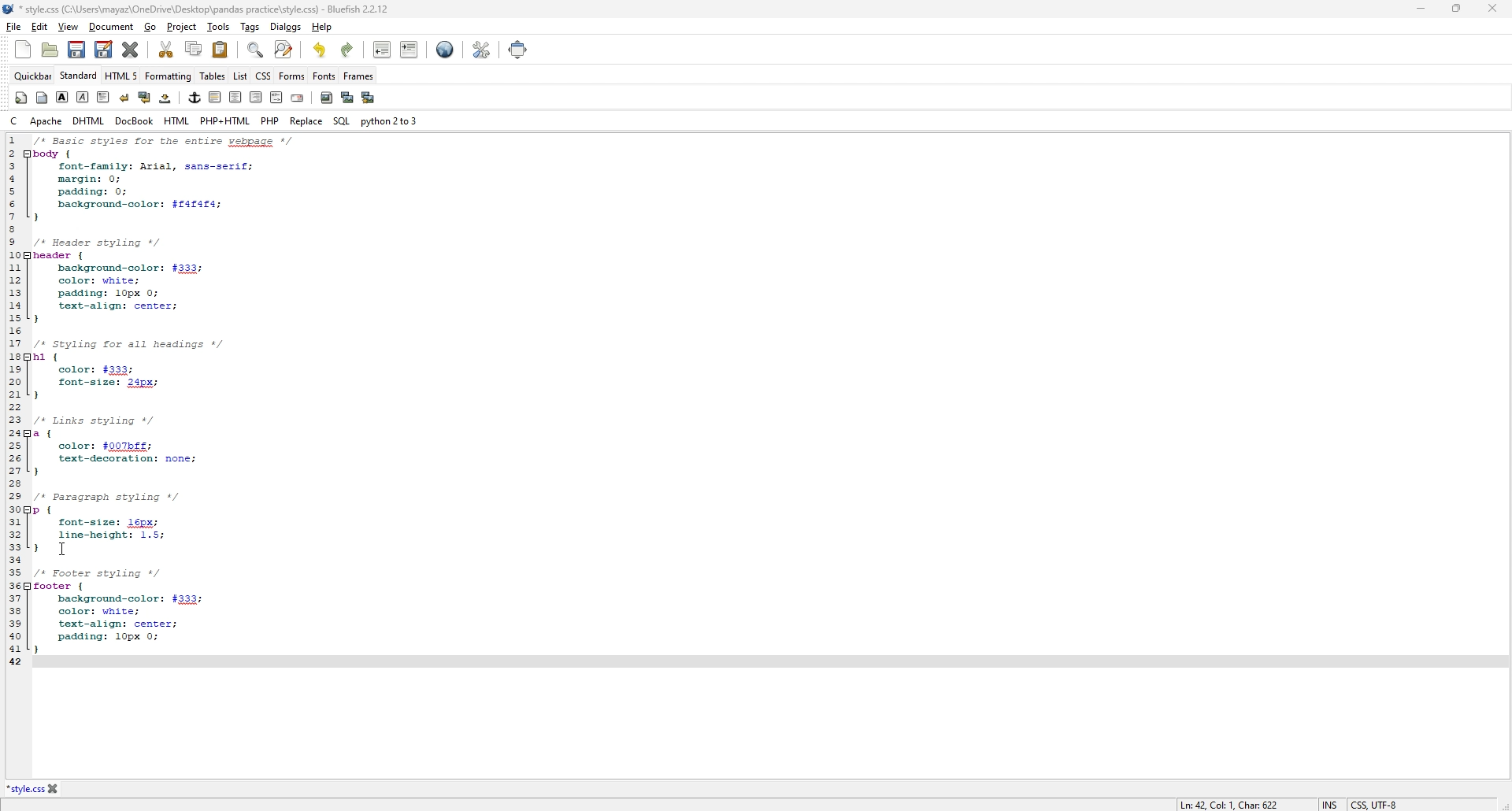 The height and width of the screenshot is (811, 1512). Describe the element at coordinates (269, 121) in the screenshot. I see `php` at that location.